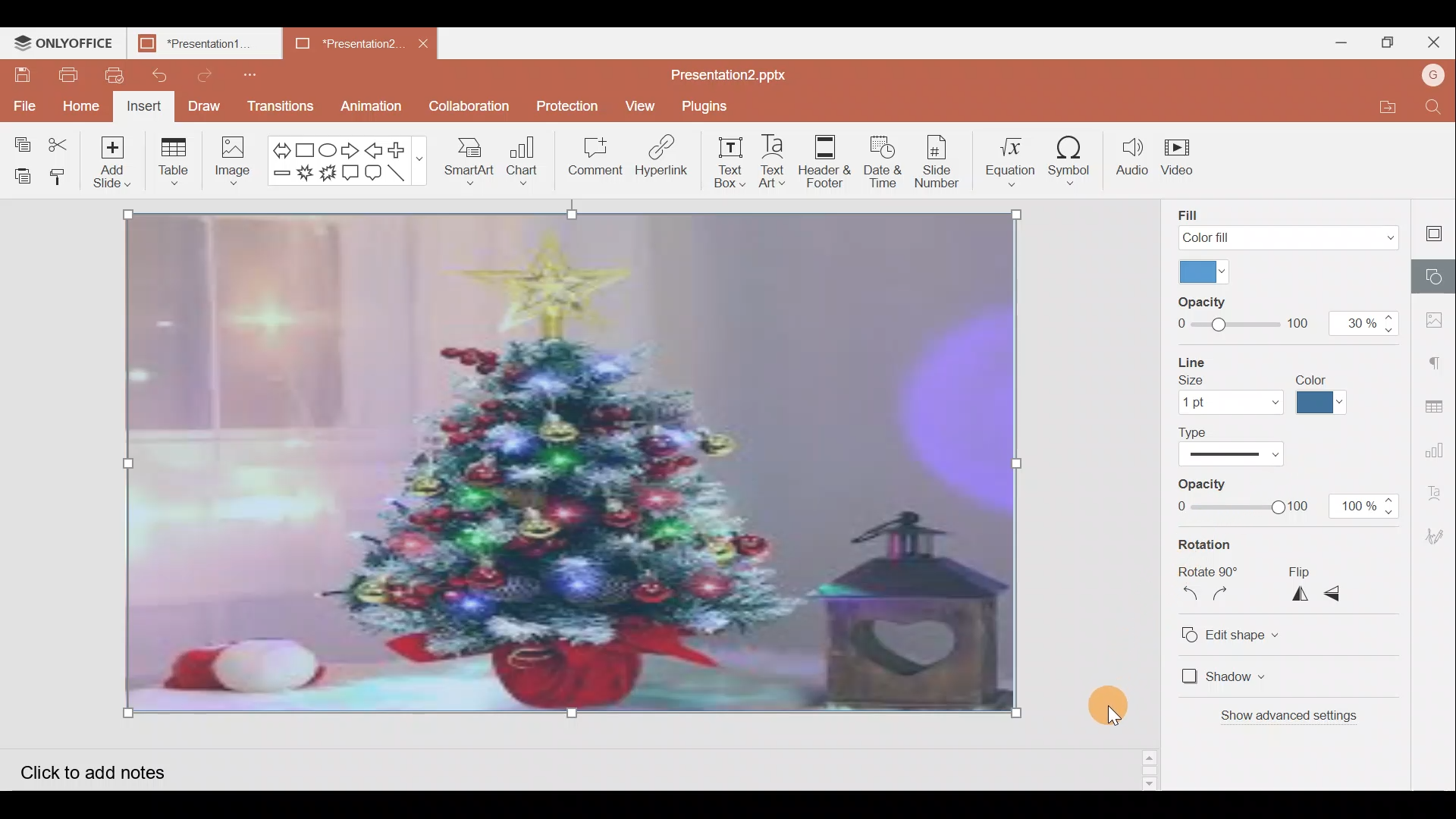 Image resolution: width=1456 pixels, height=819 pixels. I want to click on Close document, so click(424, 42).